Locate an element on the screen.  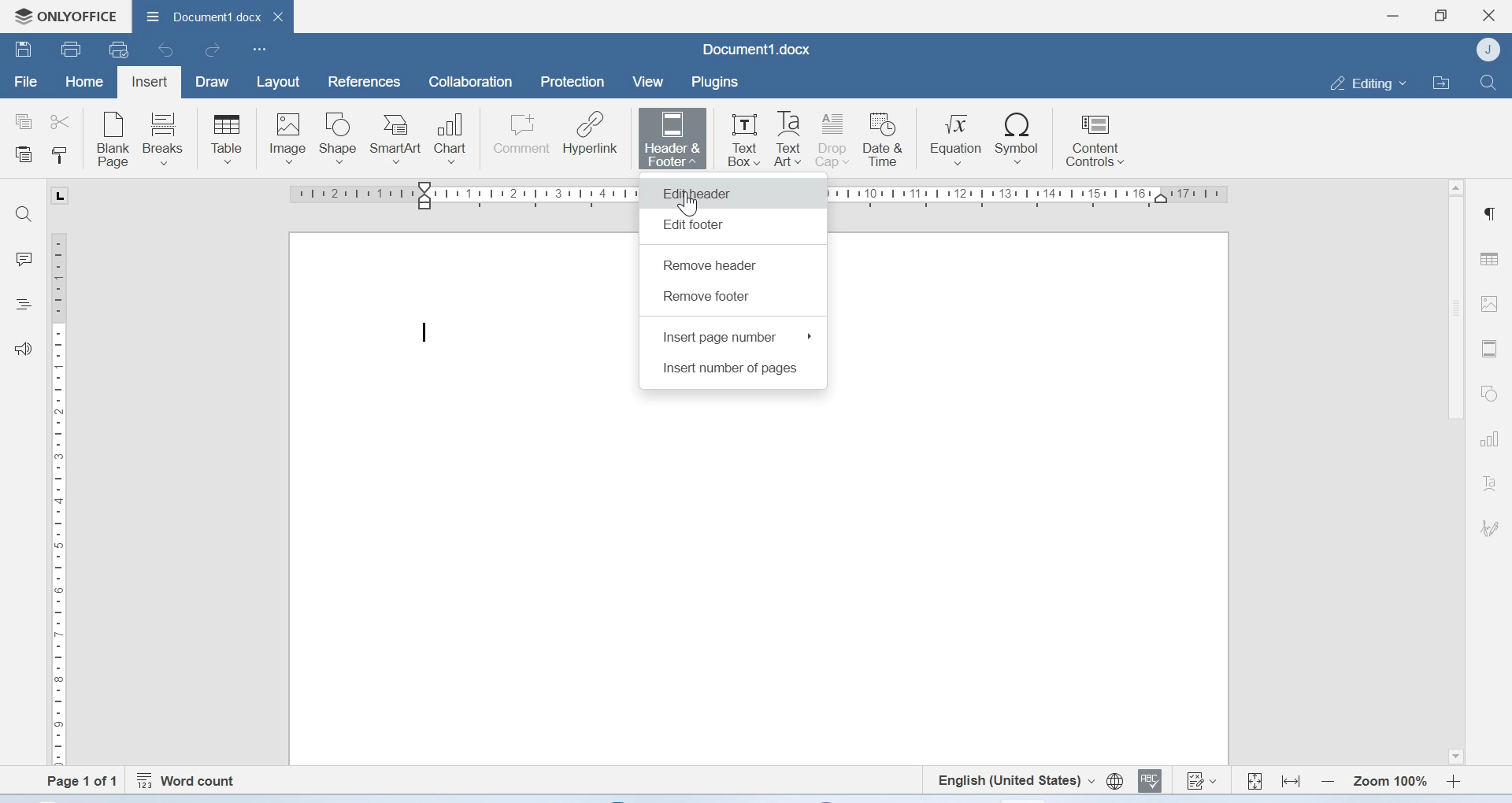
Print file is located at coordinates (70, 48).